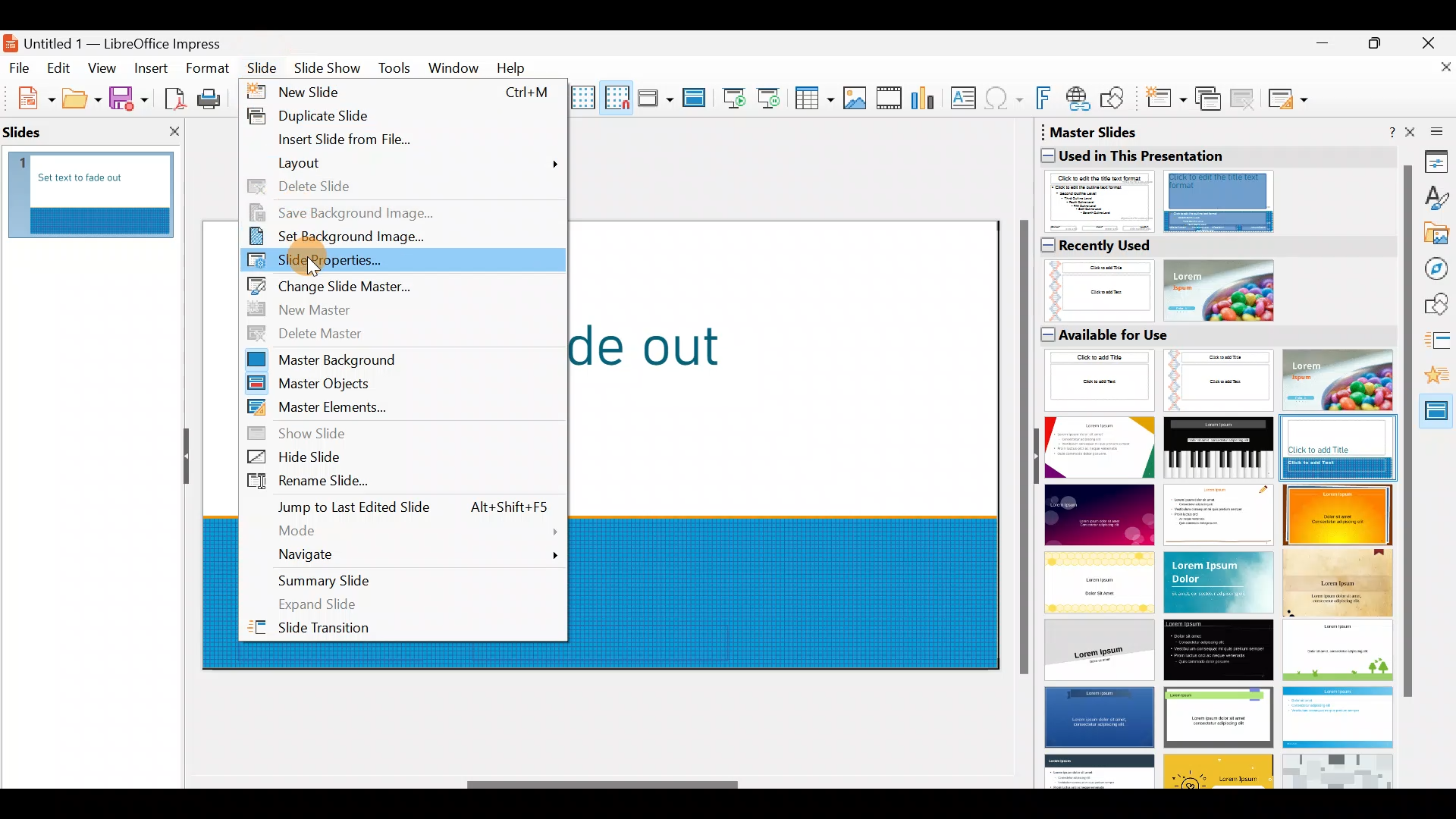 The image size is (1456, 819). What do you see at coordinates (966, 99) in the screenshot?
I see `Insert text box` at bounding box center [966, 99].